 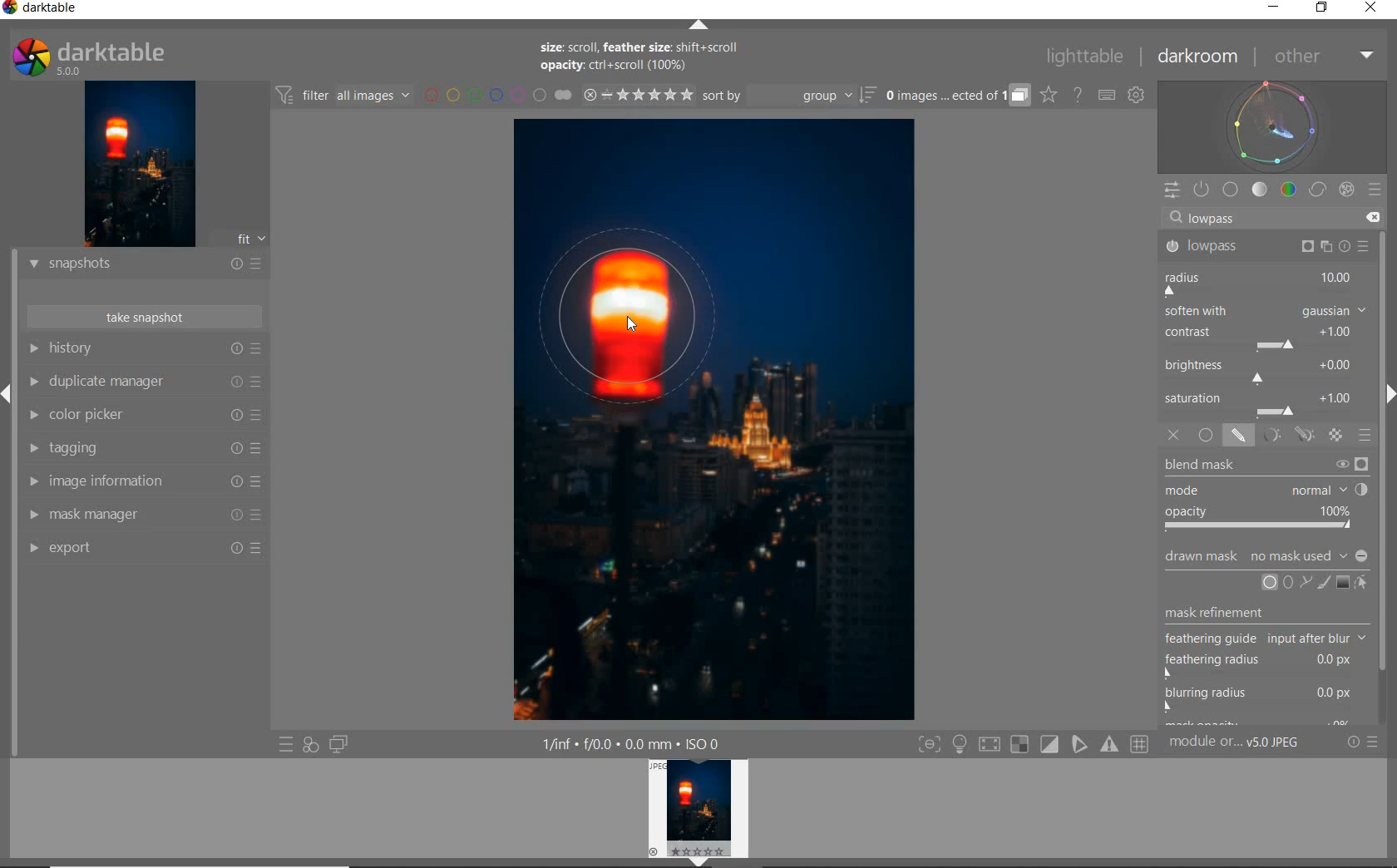 What do you see at coordinates (1275, 126) in the screenshot?
I see `WAVEFORM` at bounding box center [1275, 126].